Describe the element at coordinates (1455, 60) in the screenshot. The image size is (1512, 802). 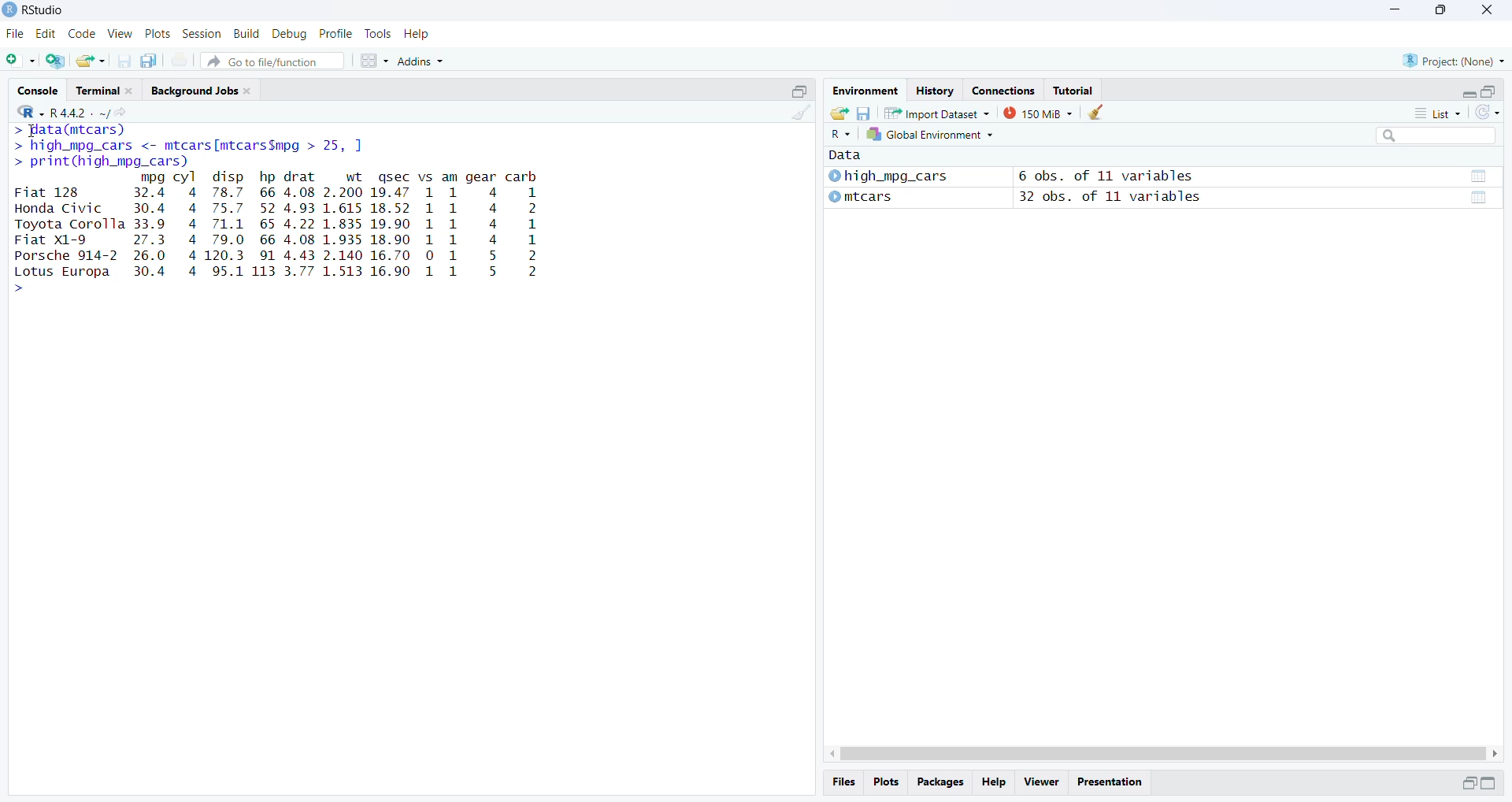
I see `Project: (None)` at that location.